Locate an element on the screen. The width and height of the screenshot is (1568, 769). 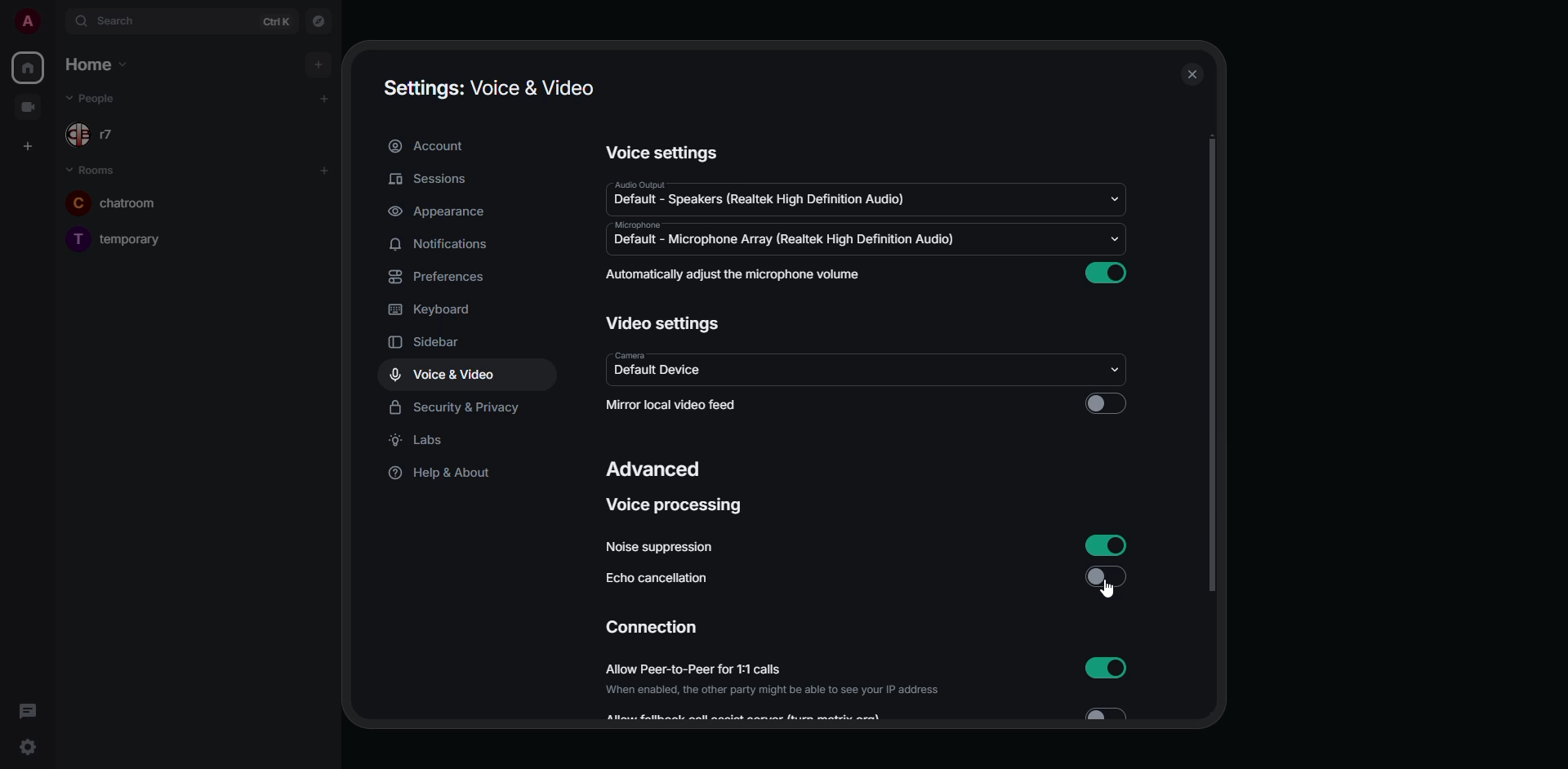
add is located at coordinates (319, 64).